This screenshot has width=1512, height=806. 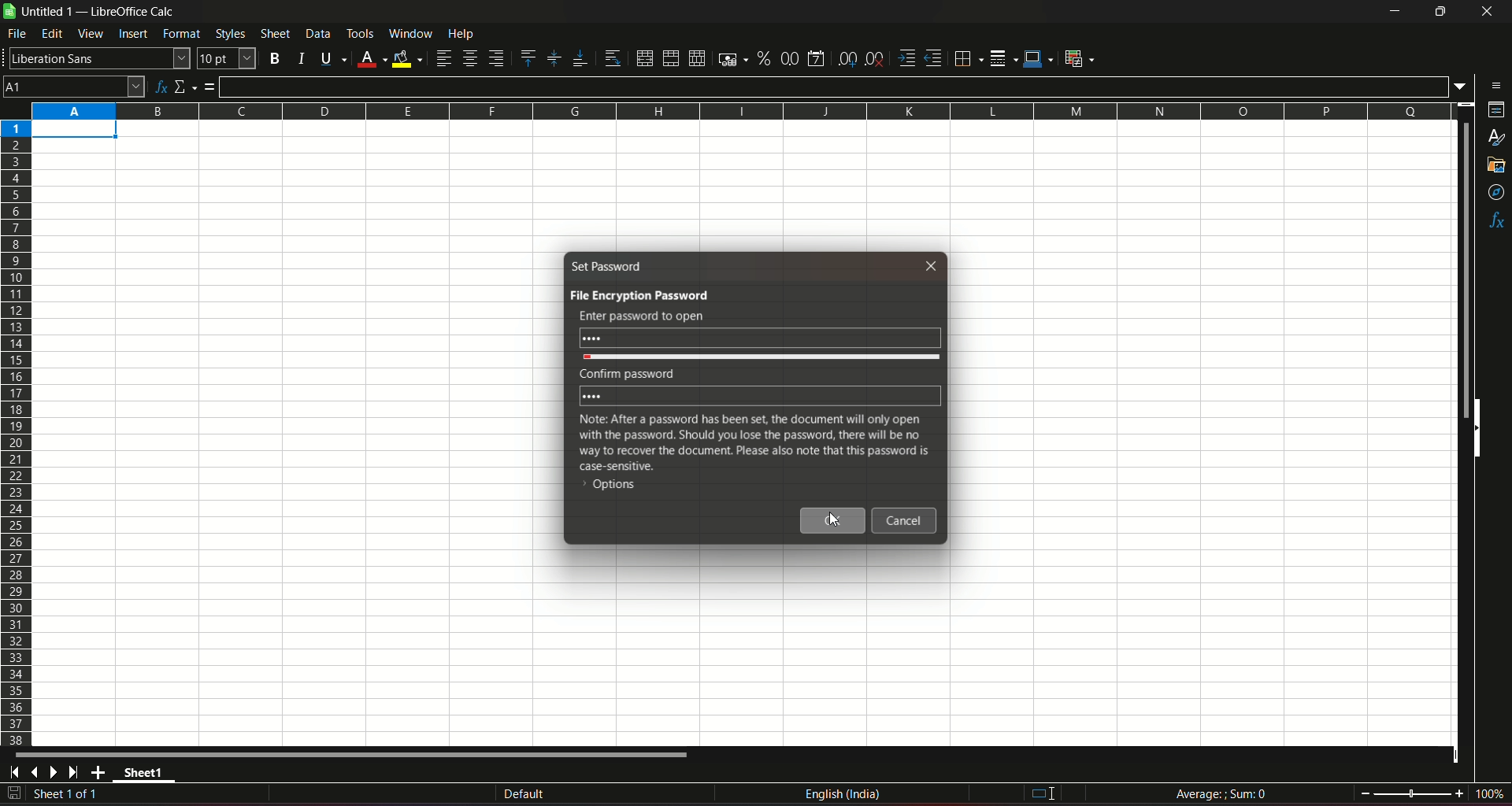 What do you see at coordinates (524, 793) in the screenshot?
I see `default` at bounding box center [524, 793].